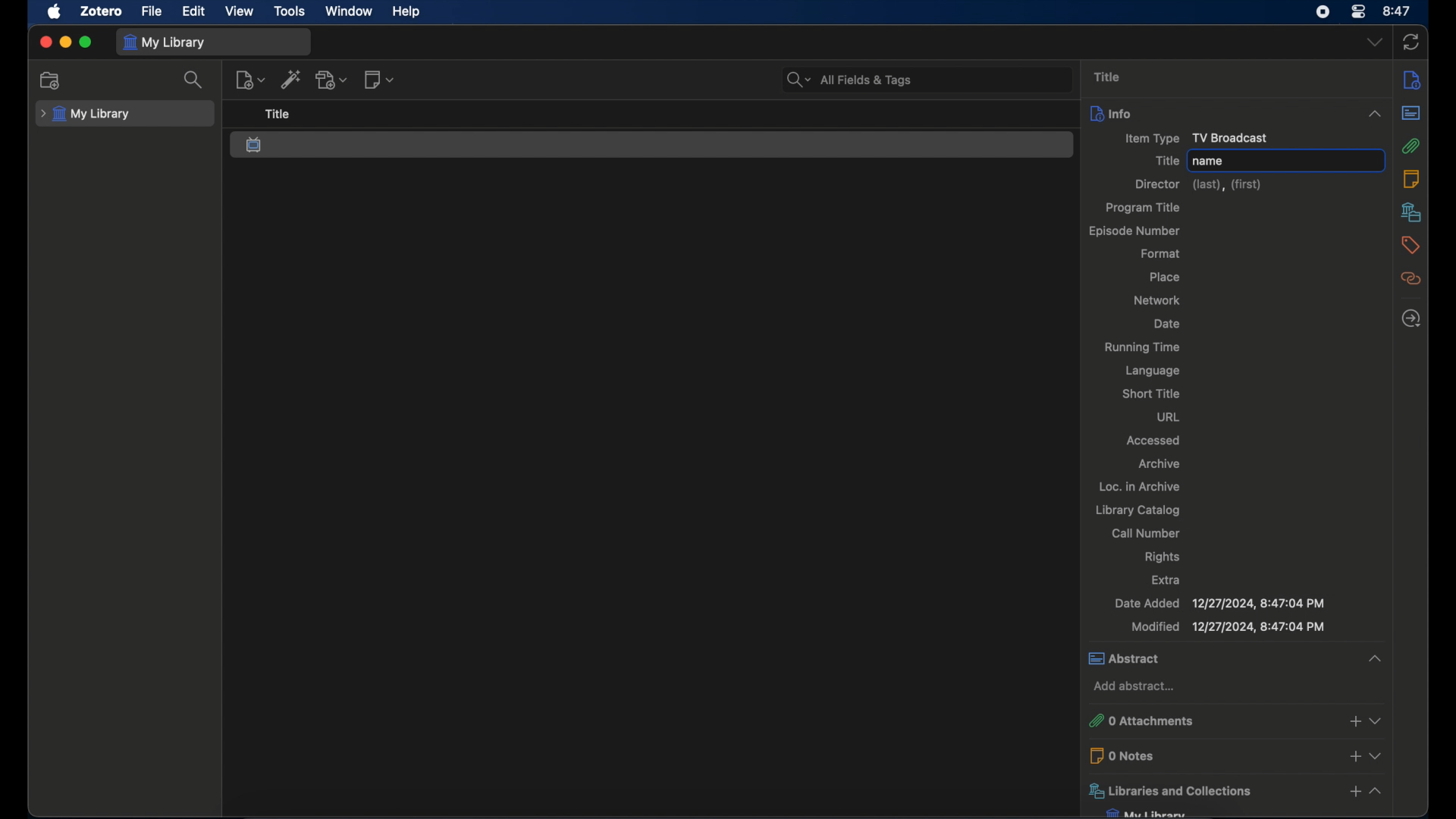 This screenshot has width=1456, height=819. What do you see at coordinates (86, 42) in the screenshot?
I see `maximize` at bounding box center [86, 42].